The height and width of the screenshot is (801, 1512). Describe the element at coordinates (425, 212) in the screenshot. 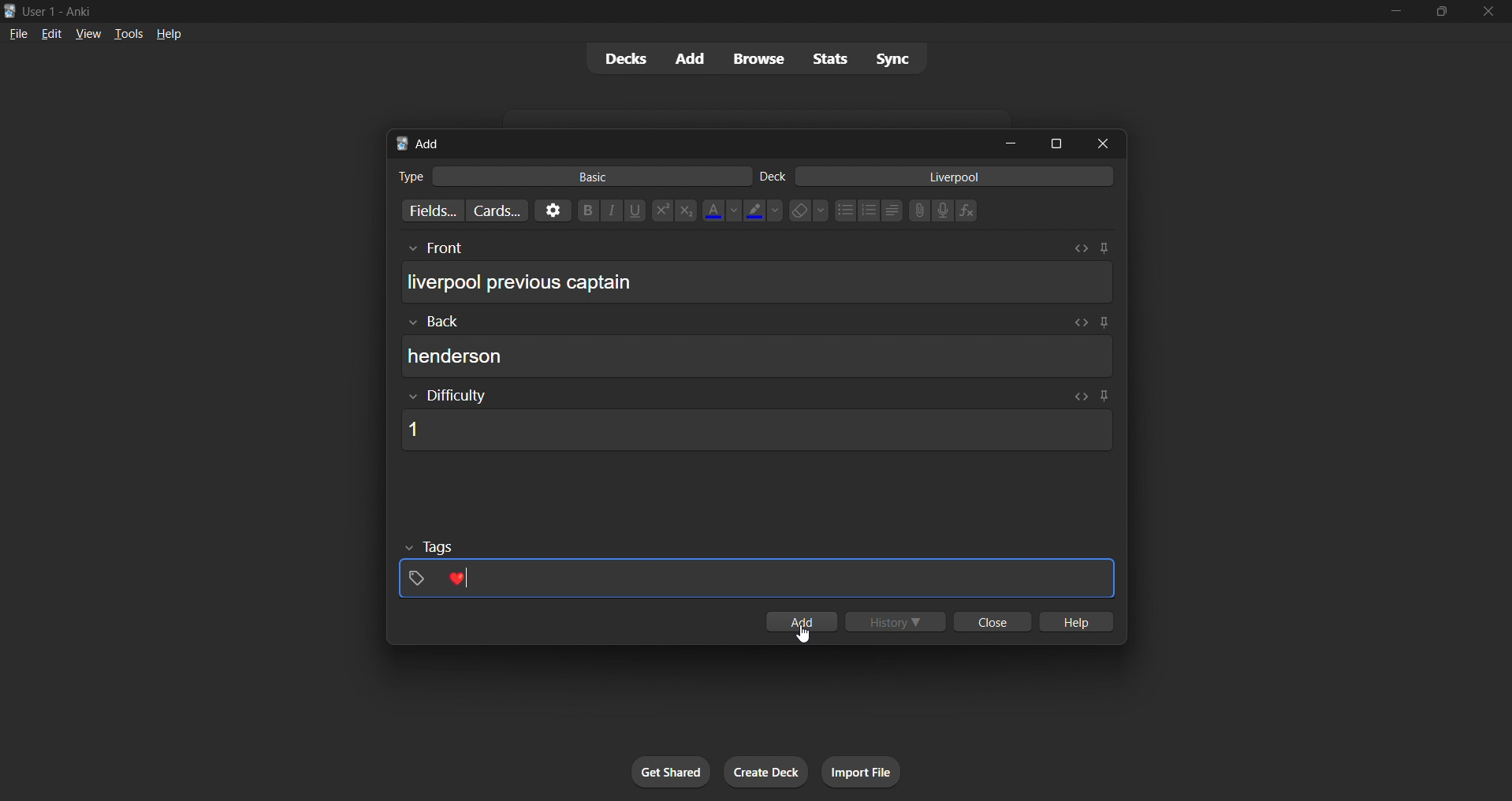

I see `customize fields` at that location.